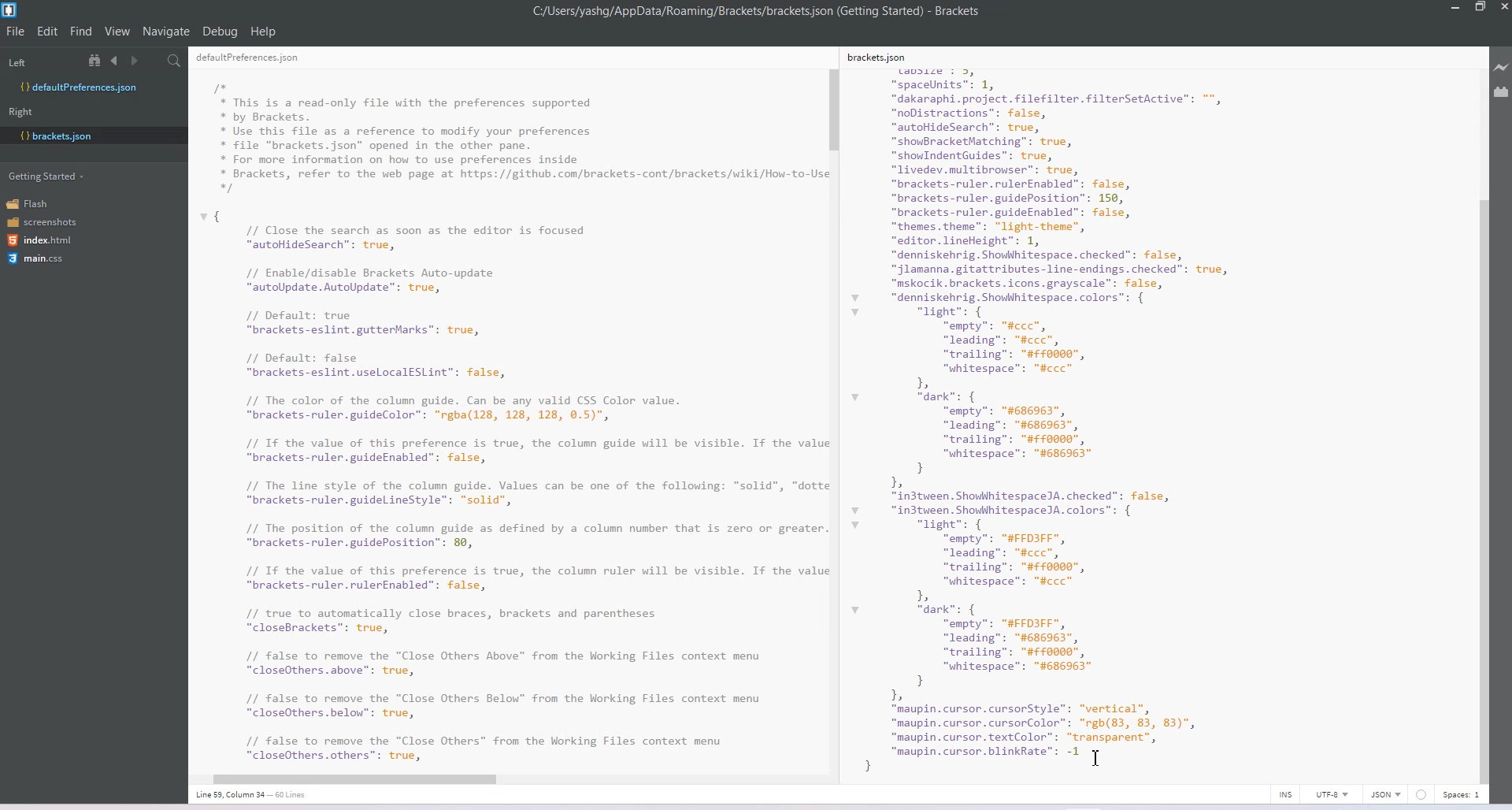 Image resolution: width=1512 pixels, height=810 pixels. Describe the element at coordinates (1480, 8) in the screenshot. I see `Maximize` at that location.